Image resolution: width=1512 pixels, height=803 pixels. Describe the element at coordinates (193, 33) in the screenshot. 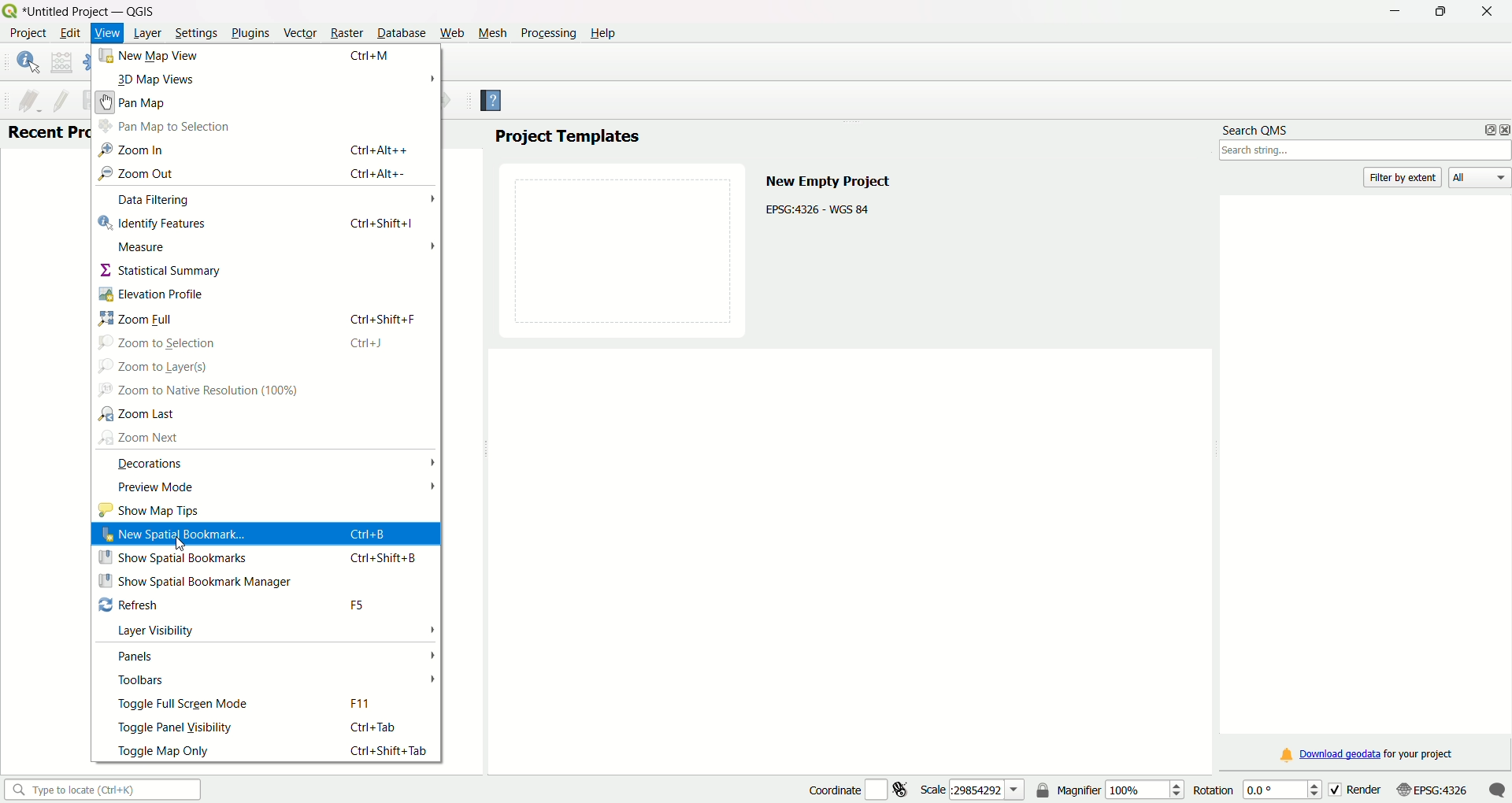

I see `Settings` at that location.